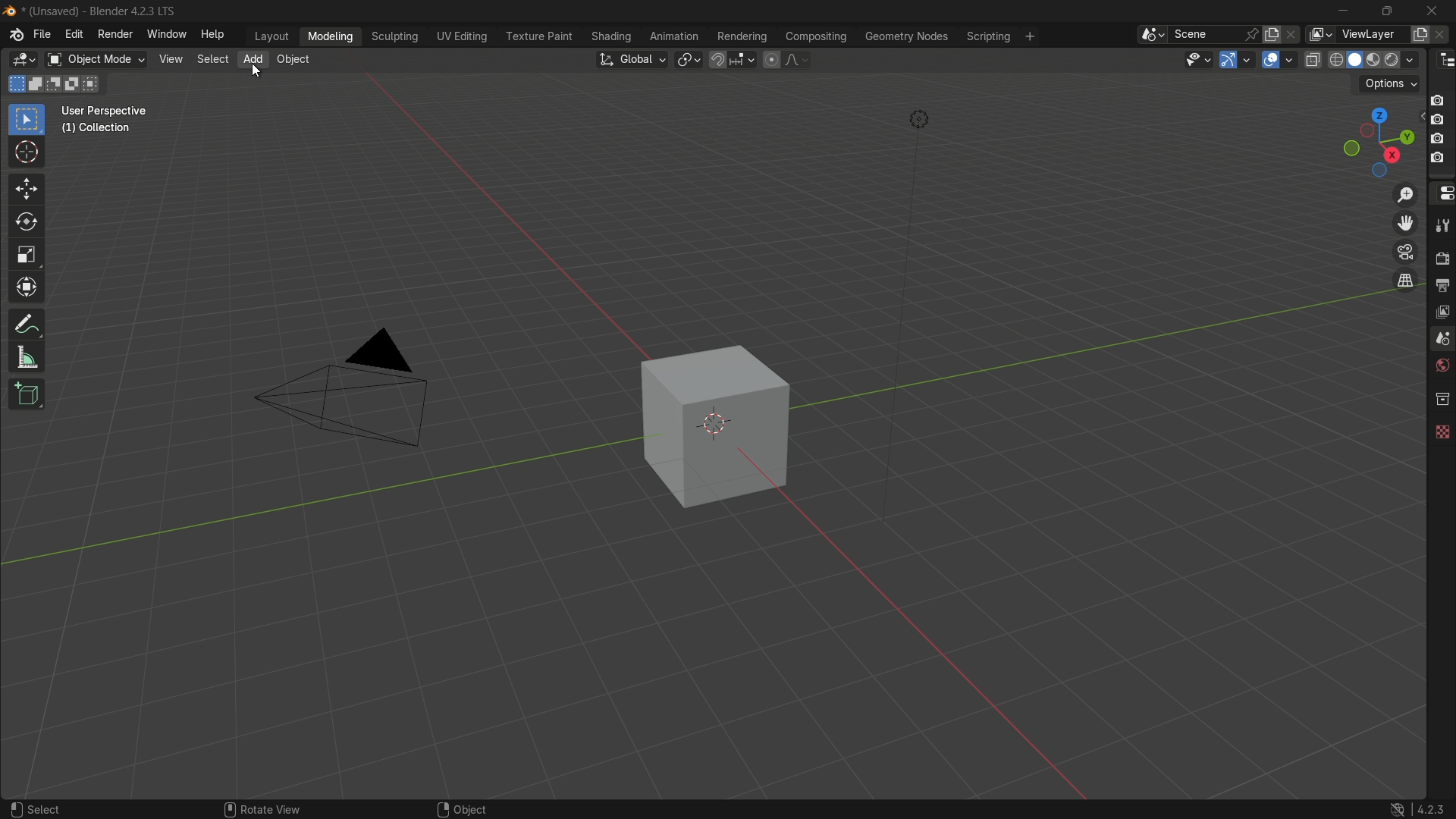  What do you see at coordinates (163, 34) in the screenshot?
I see `window menu` at bounding box center [163, 34].